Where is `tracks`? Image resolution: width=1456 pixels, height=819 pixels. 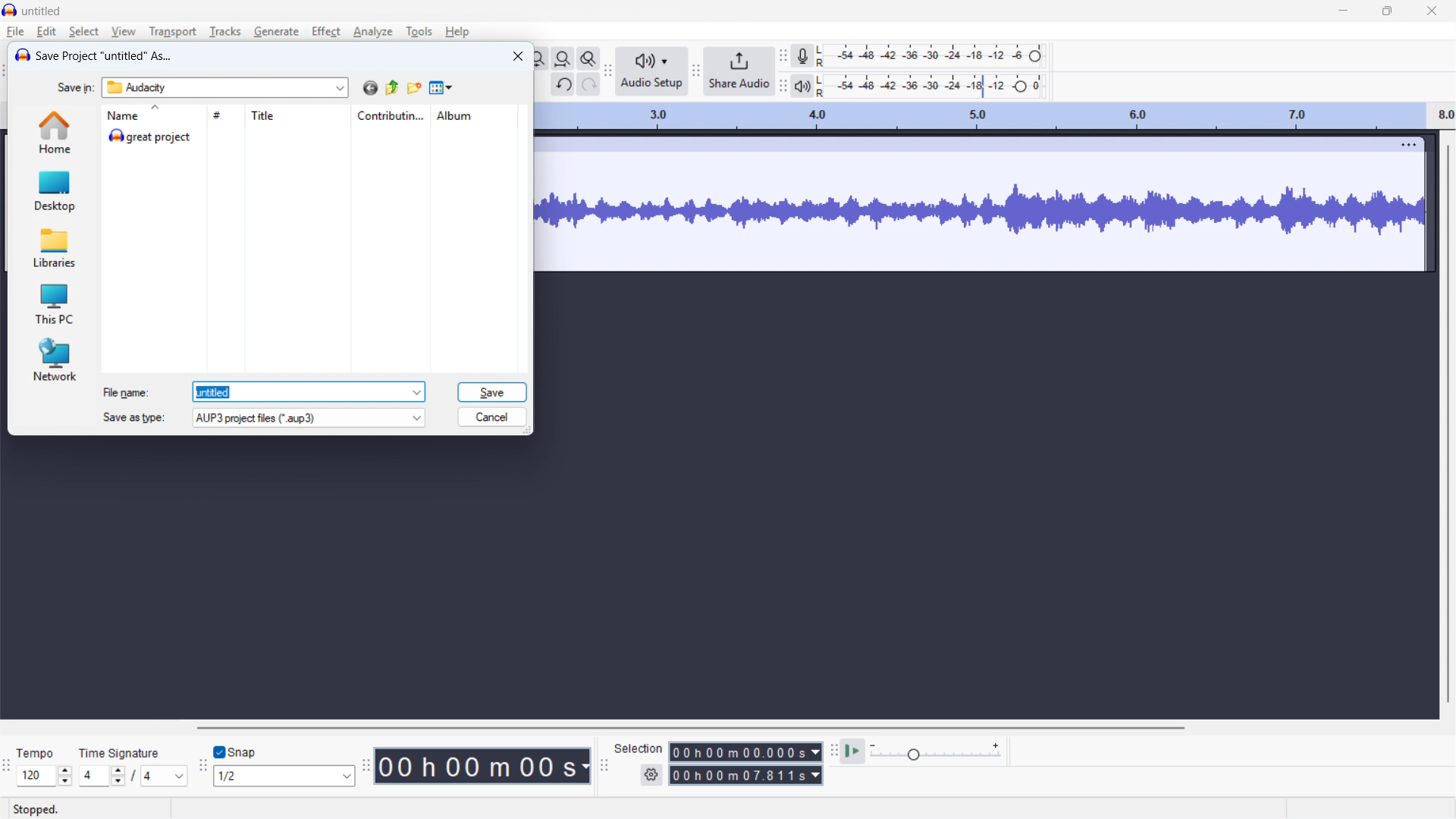 tracks is located at coordinates (224, 32).